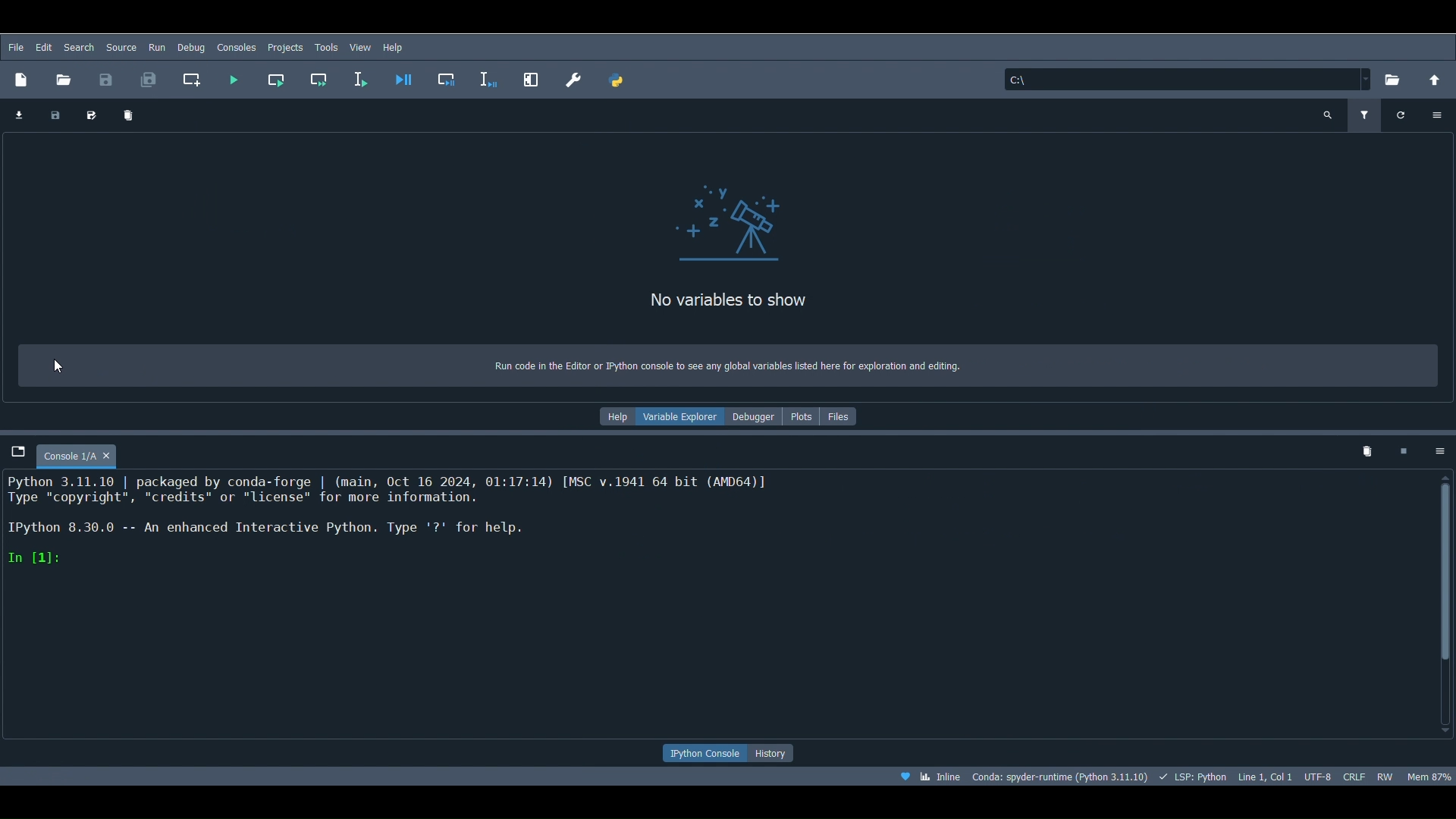 This screenshot has height=819, width=1456. Describe the element at coordinates (284, 45) in the screenshot. I see `Projects` at that location.